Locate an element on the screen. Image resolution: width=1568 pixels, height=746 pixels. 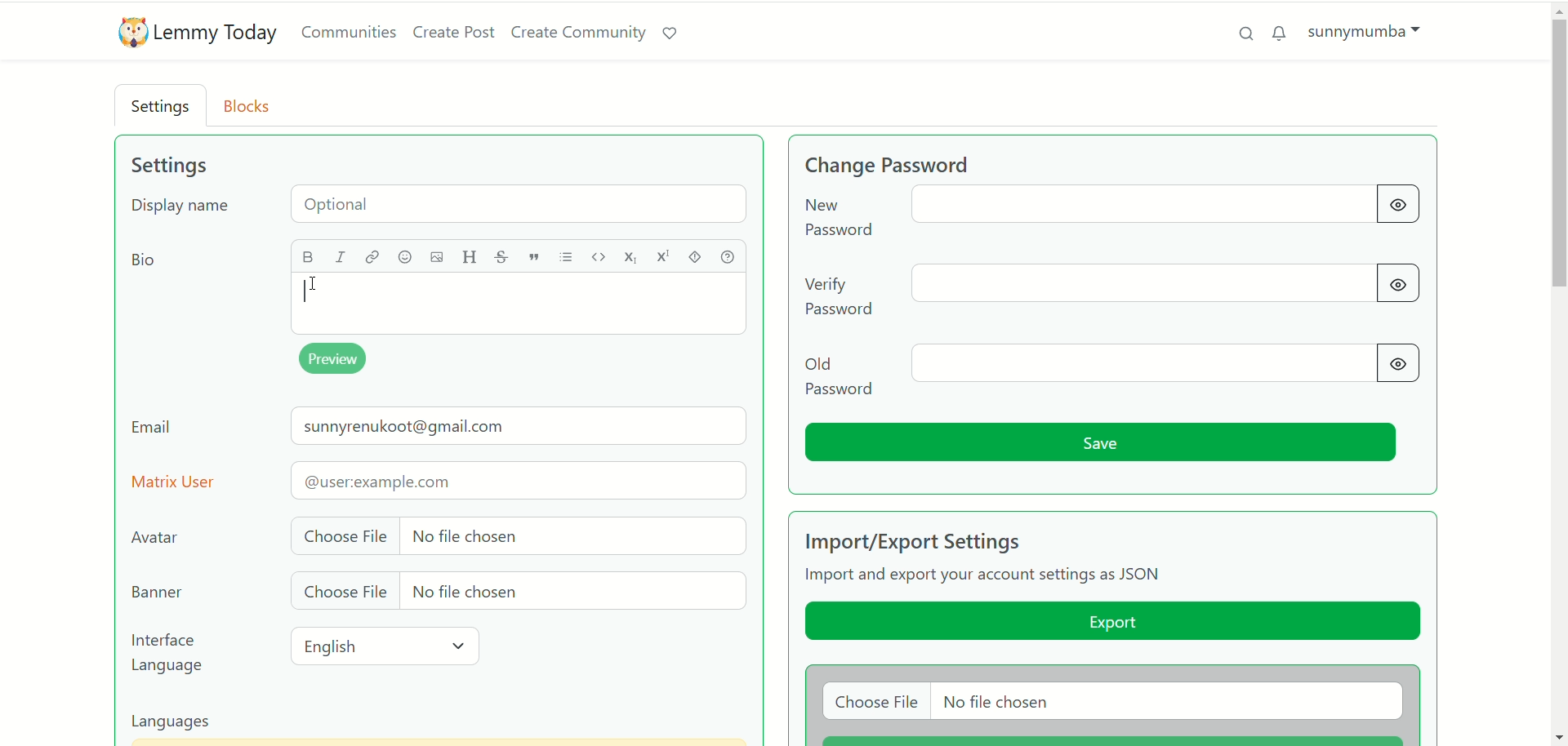
strikethrough is located at coordinates (499, 257).